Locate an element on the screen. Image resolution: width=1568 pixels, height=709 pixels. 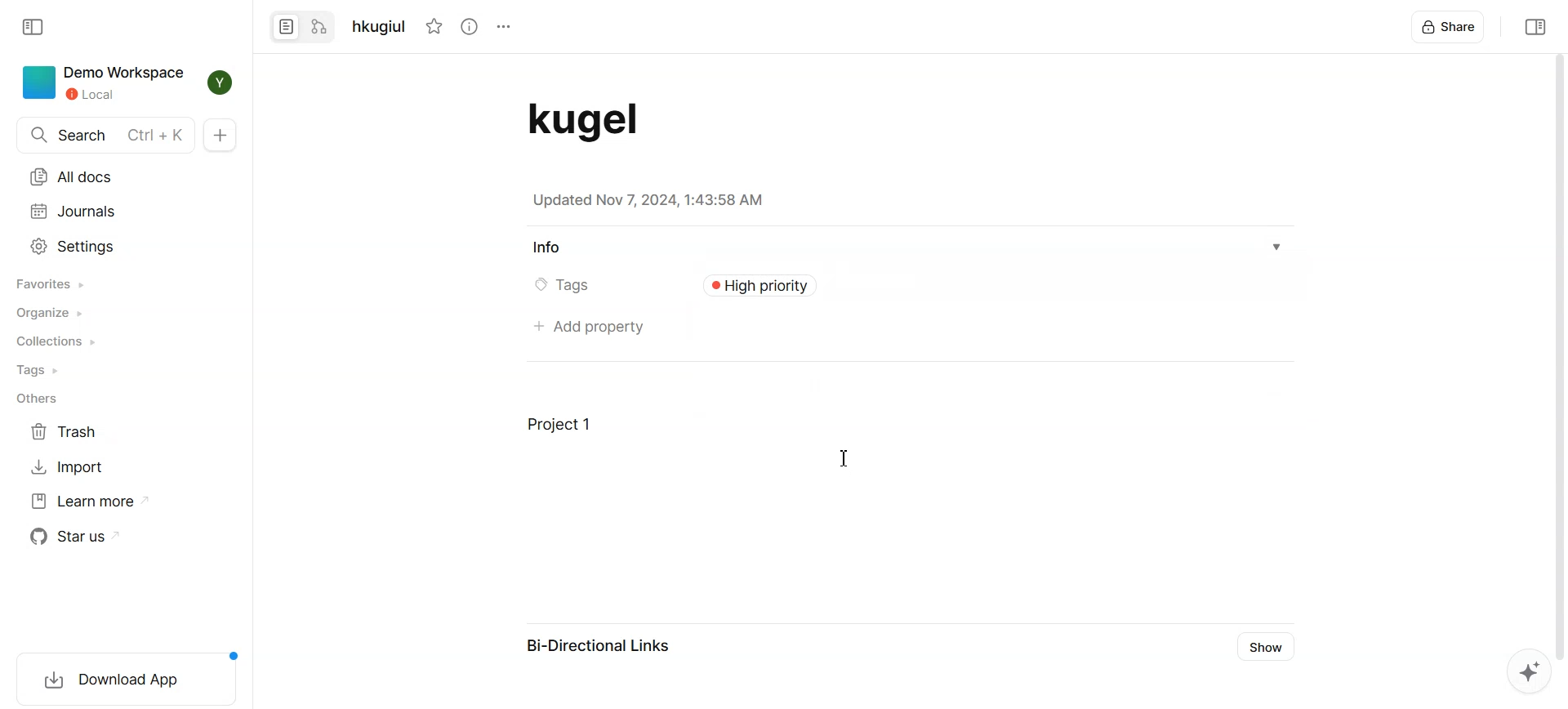
type here... is located at coordinates (749, 288).